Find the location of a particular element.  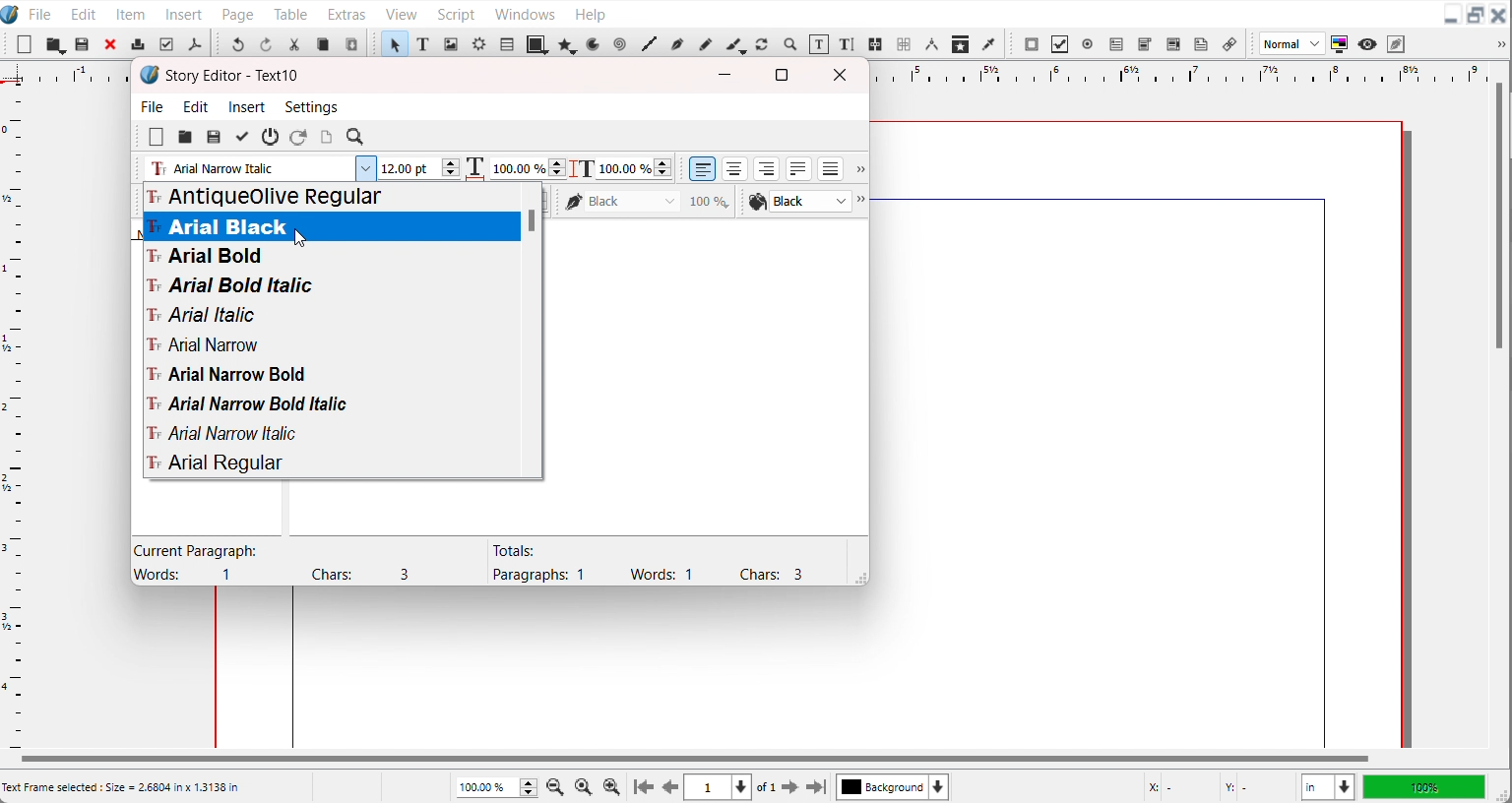

Copy item Properties is located at coordinates (961, 43).